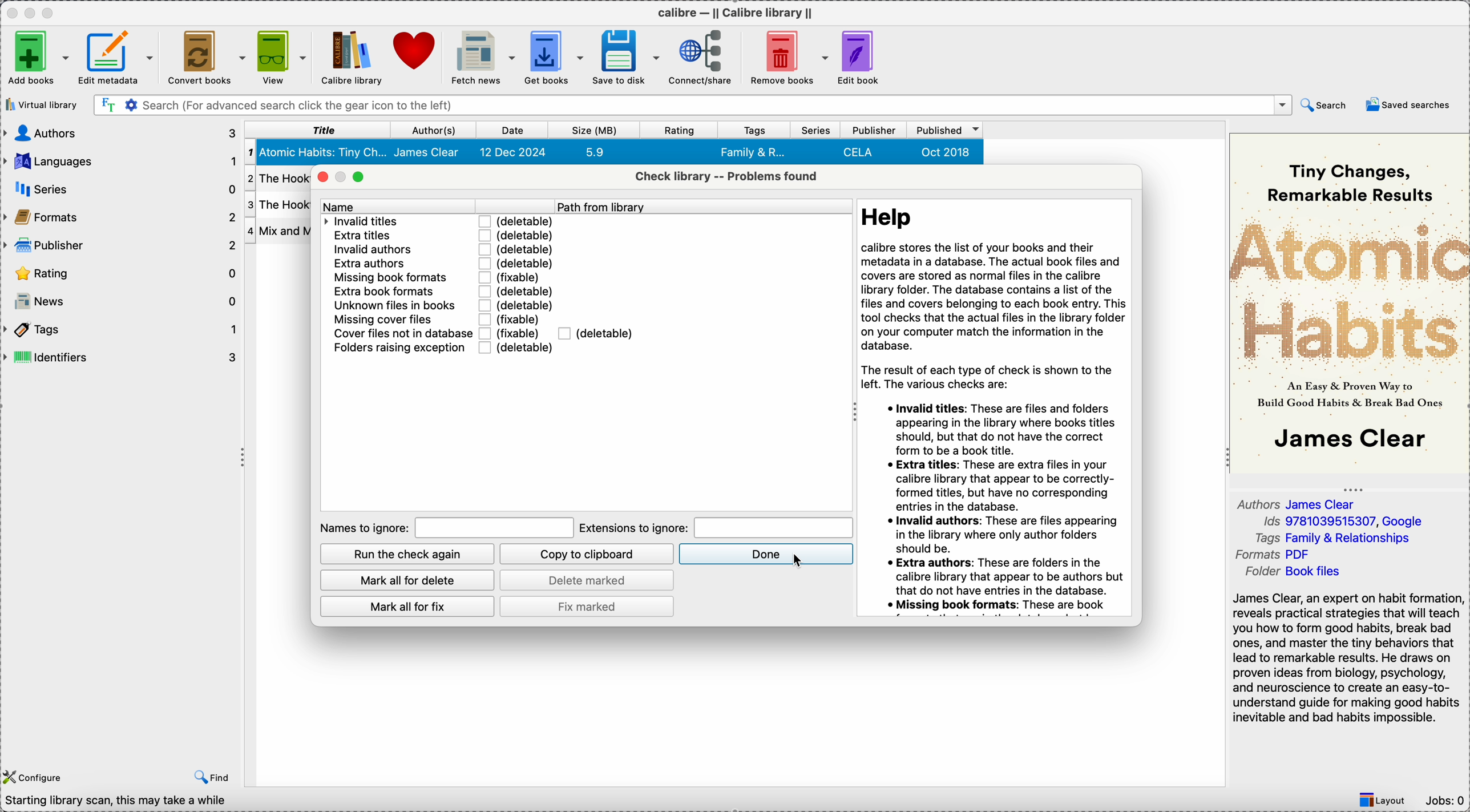  What do you see at coordinates (774, 527) in the screenshot?
I see `add extensions to ignore` at bounding box center [774, 527].